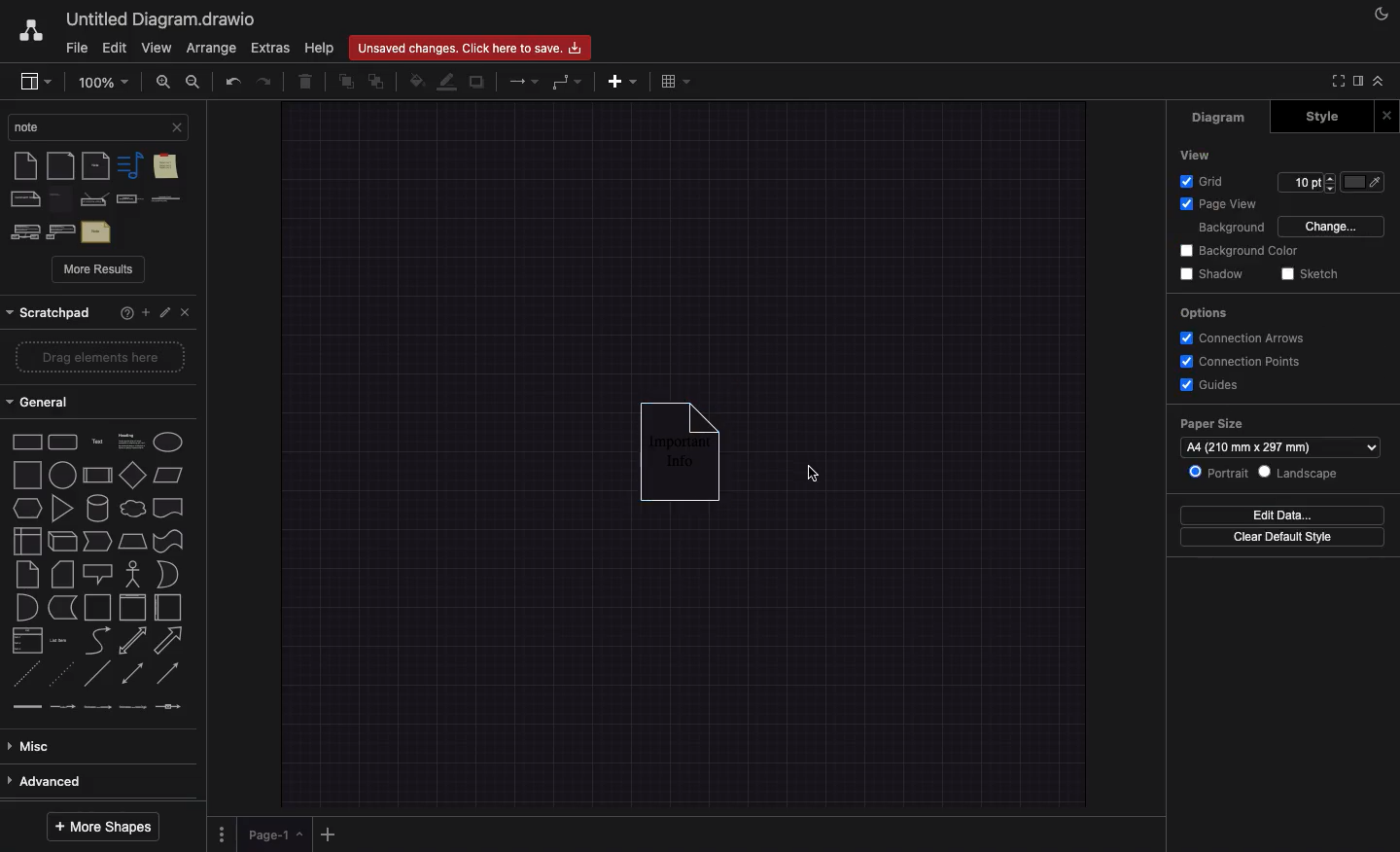 The height and width of the screenshot is (852, 1400). What do you see at coordinates (96, 573) in the screenshot?
I see `callout` at bounding box center [96, 573].